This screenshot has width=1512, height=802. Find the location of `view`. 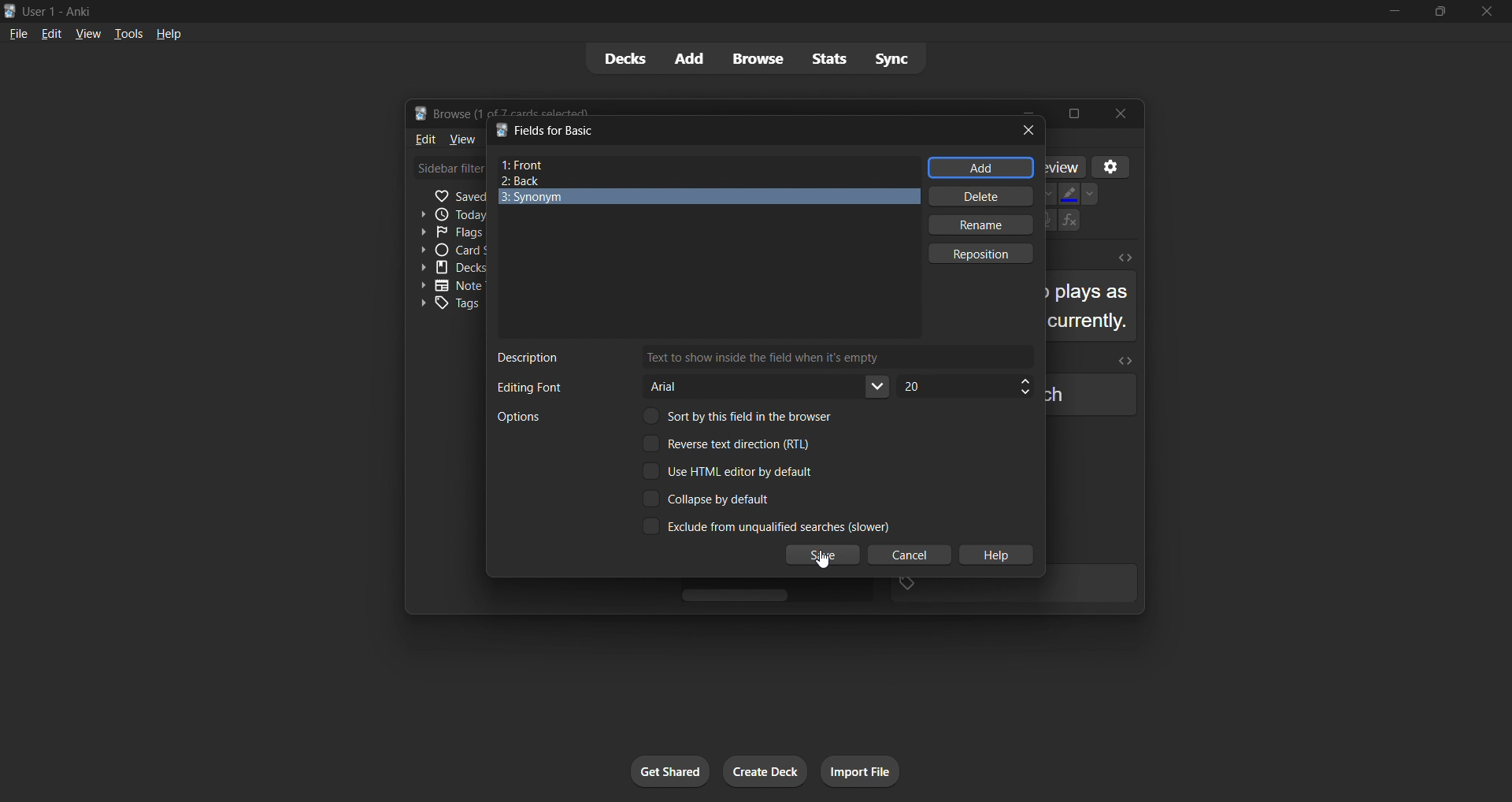

view is located at coordinates (86, 32).